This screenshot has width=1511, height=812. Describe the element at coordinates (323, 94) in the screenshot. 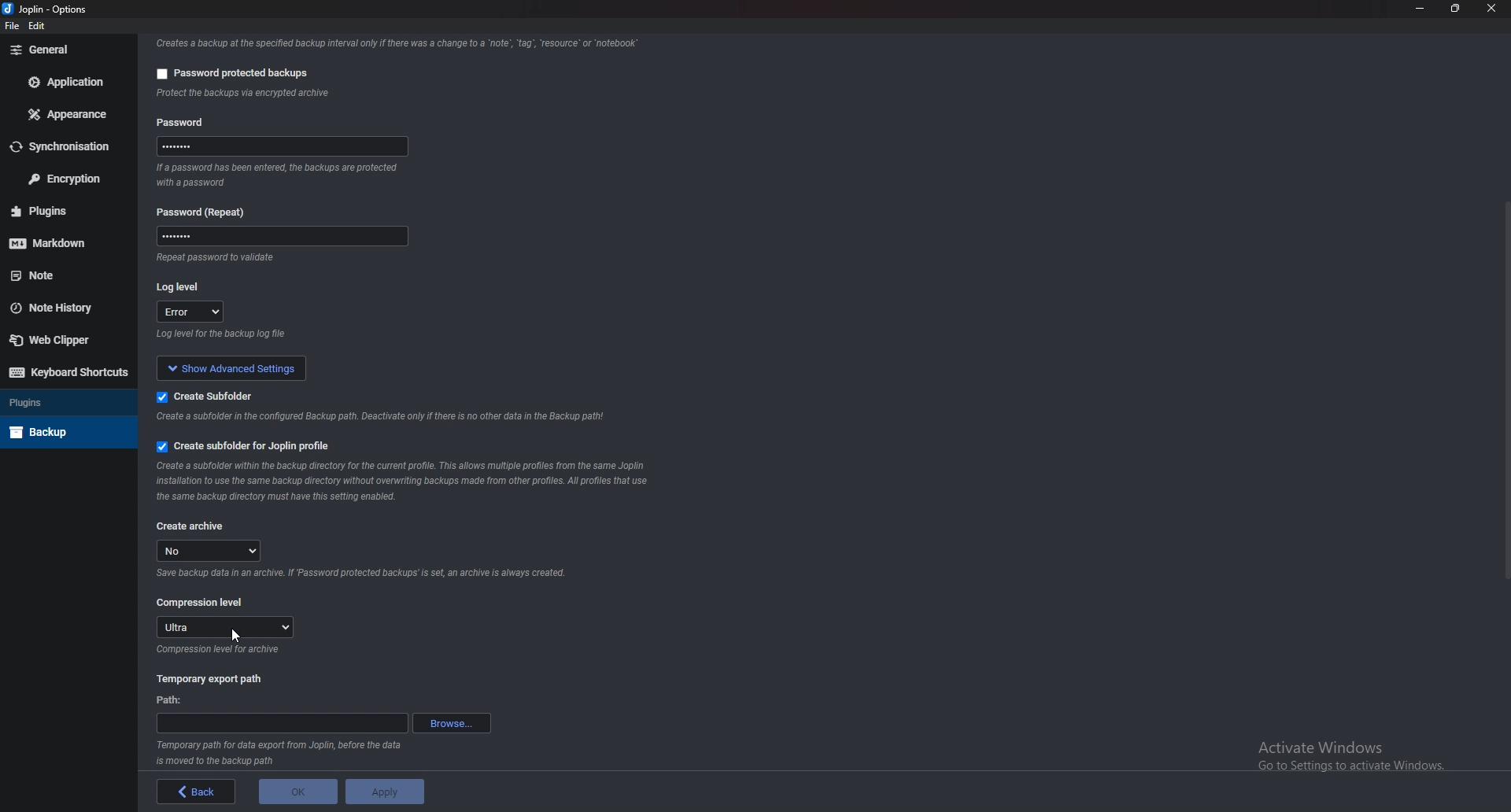

I see `info` at that location.